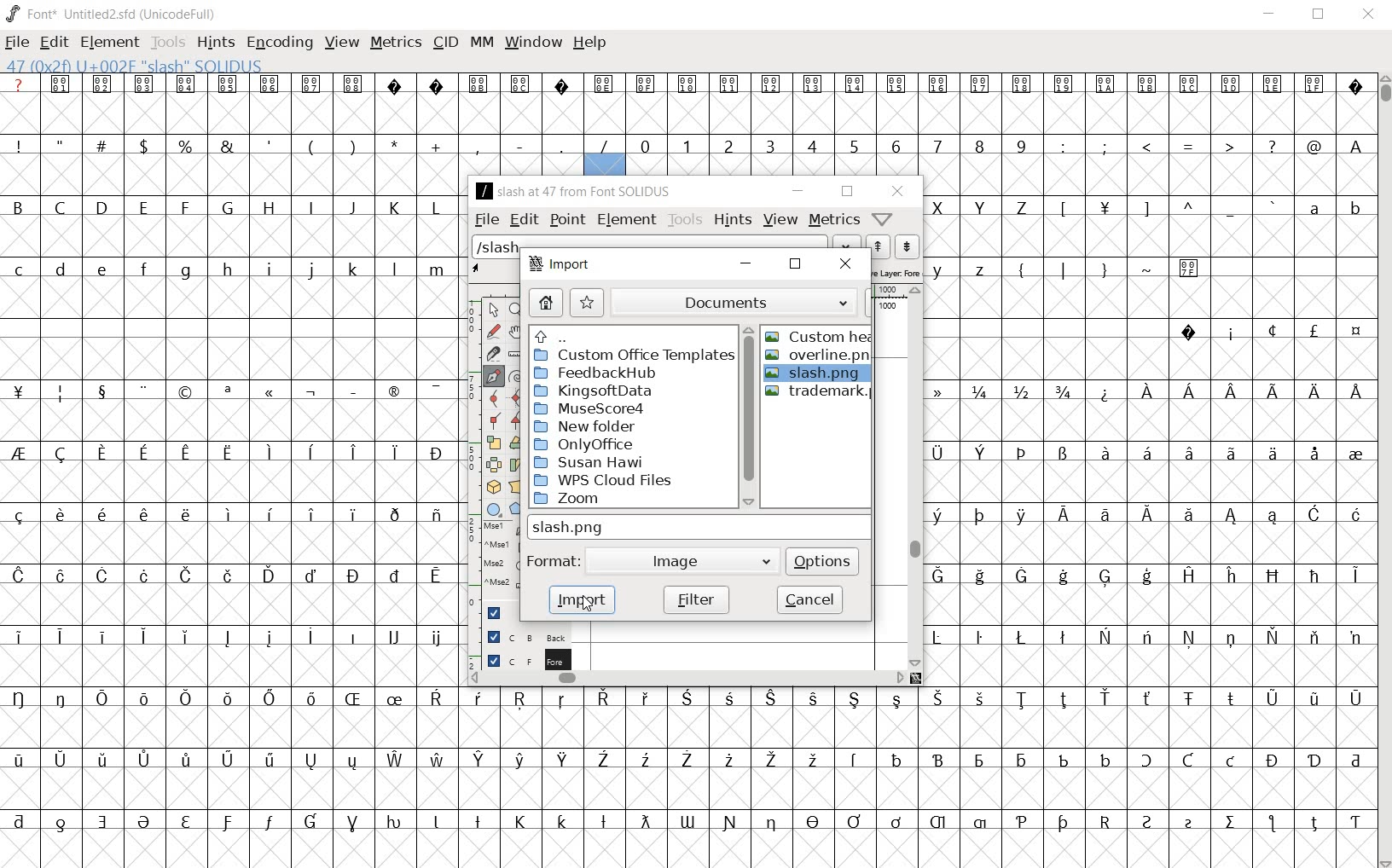 Image resolution: width=1392 pixels, height=868 pixels. Describe the element at coordinates (847, 192) in the screenshot. I see `restore` at that location.